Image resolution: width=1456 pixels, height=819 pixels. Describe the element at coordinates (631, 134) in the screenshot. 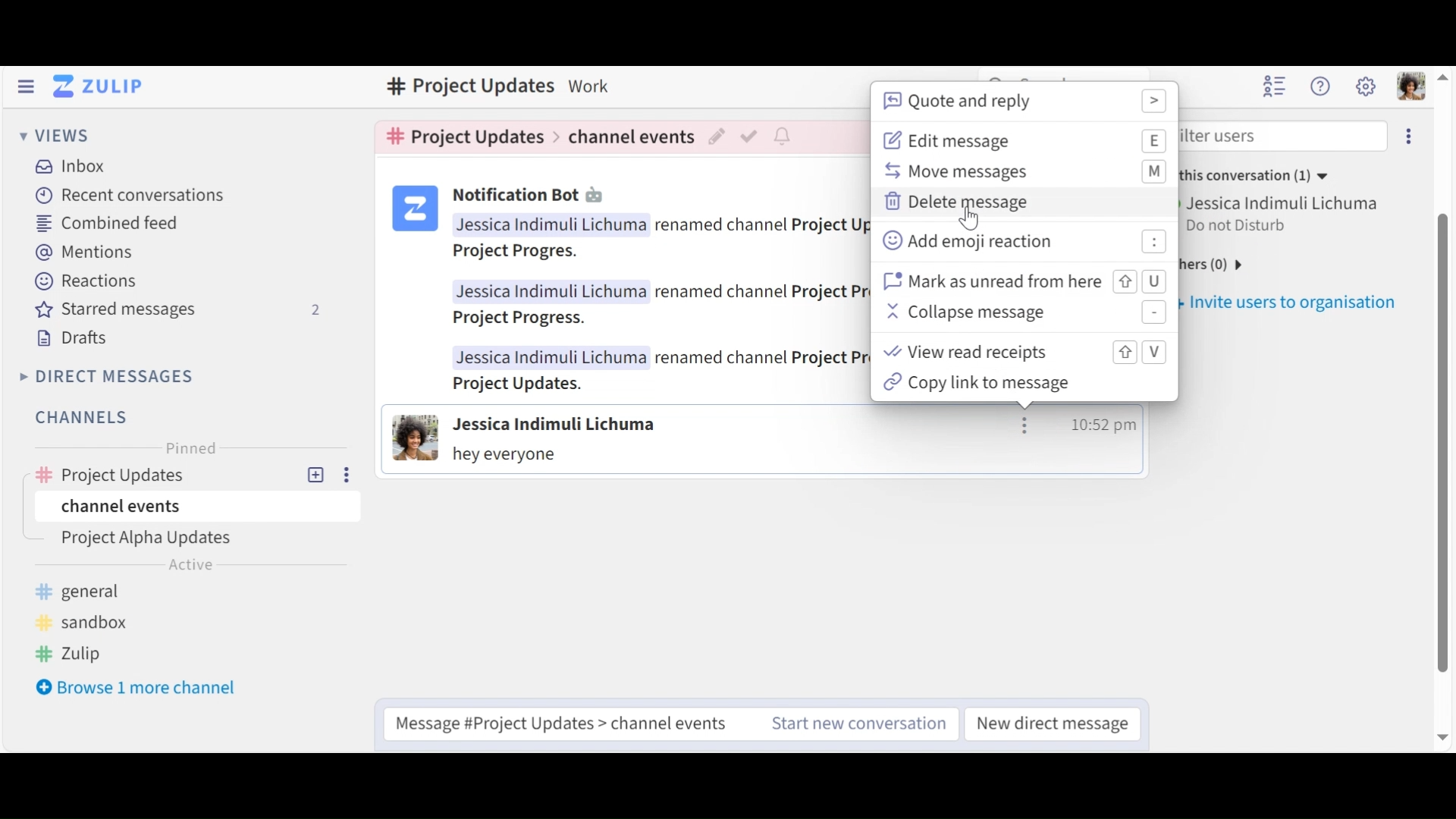

I see `Channel events` at that location.